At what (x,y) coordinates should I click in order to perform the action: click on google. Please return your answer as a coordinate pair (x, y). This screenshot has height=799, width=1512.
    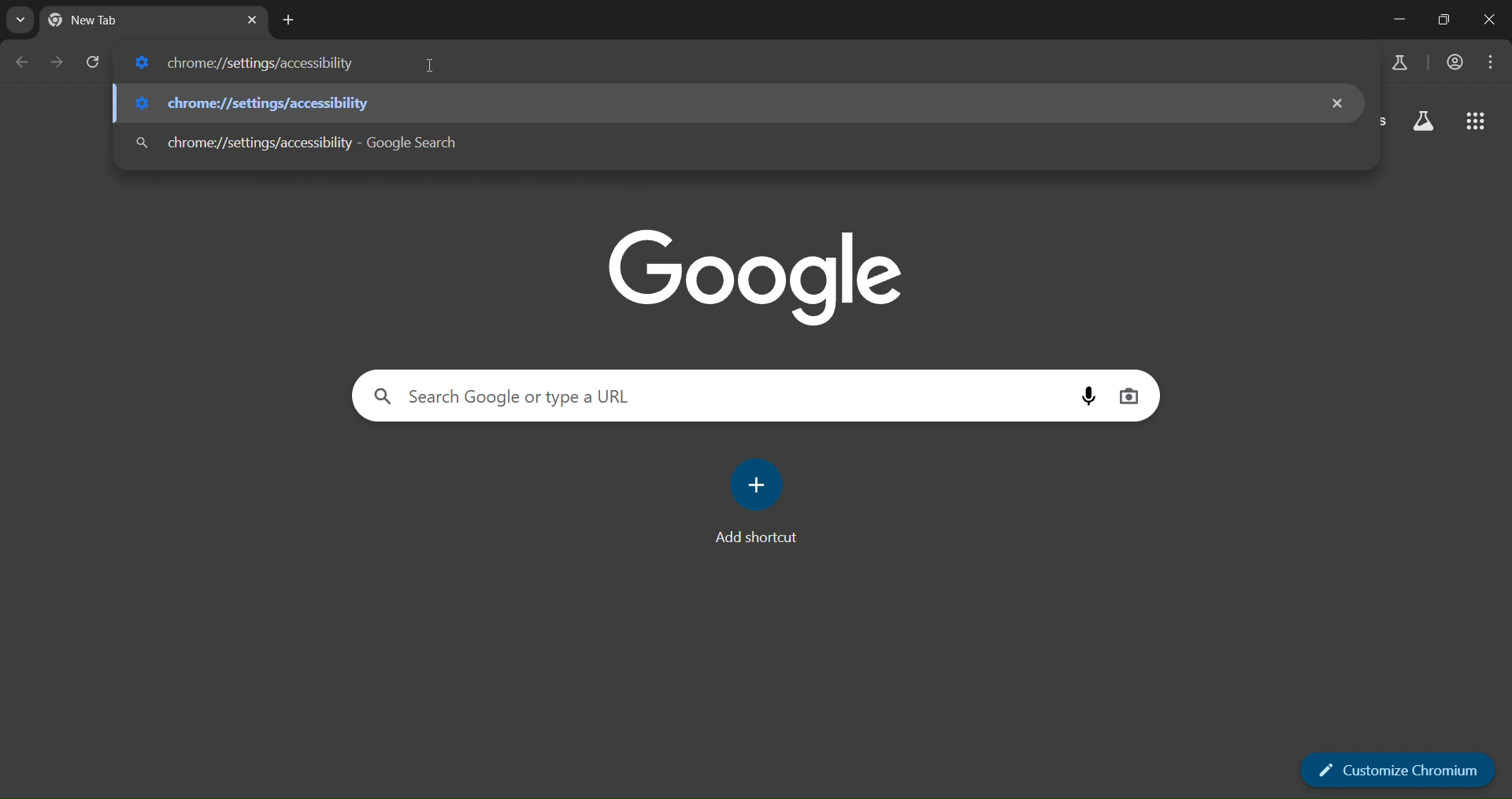
    Looking at the image, I should click on (754, 277).